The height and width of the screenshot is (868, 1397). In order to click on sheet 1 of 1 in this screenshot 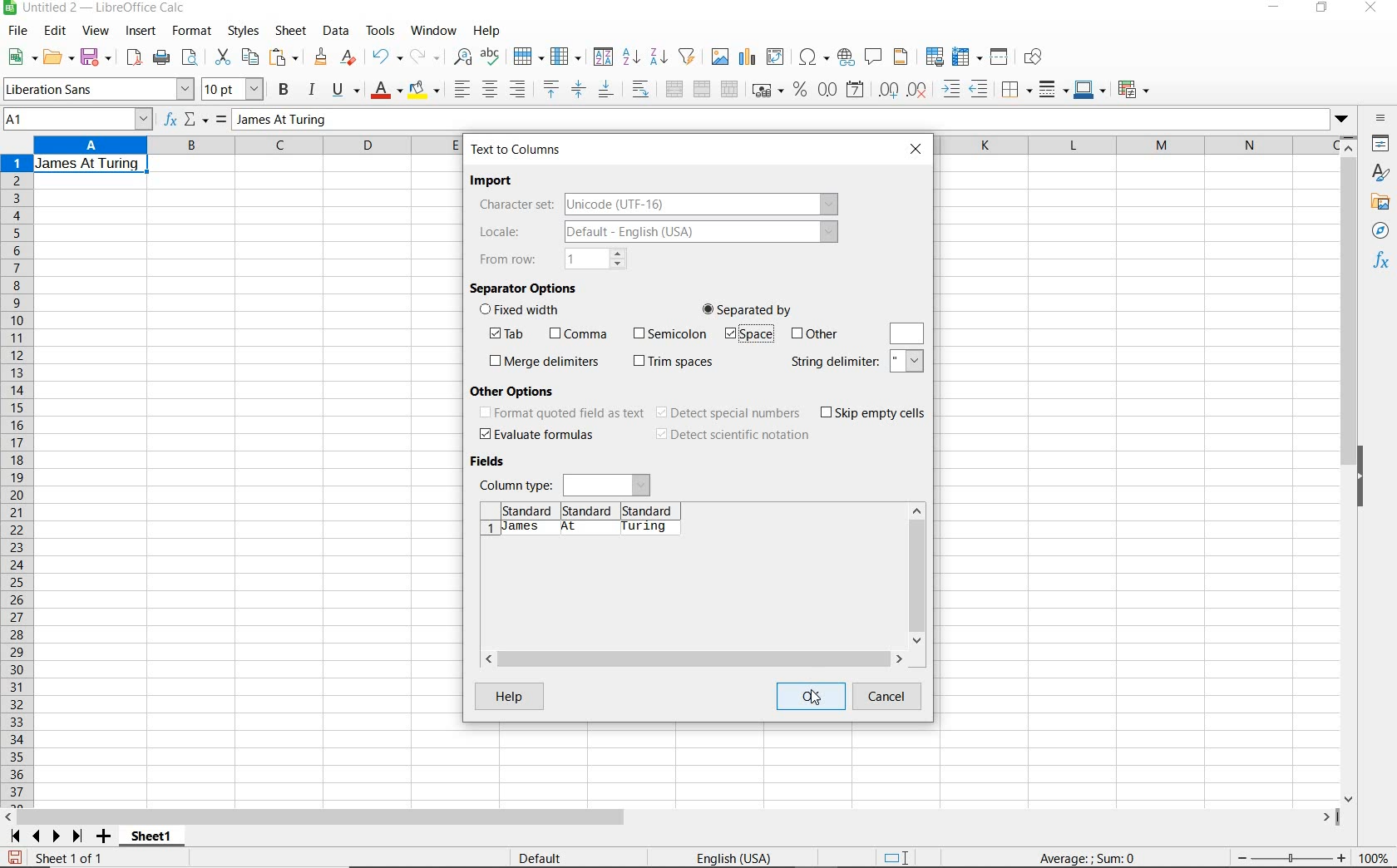, I will do `click(68, 857)`.